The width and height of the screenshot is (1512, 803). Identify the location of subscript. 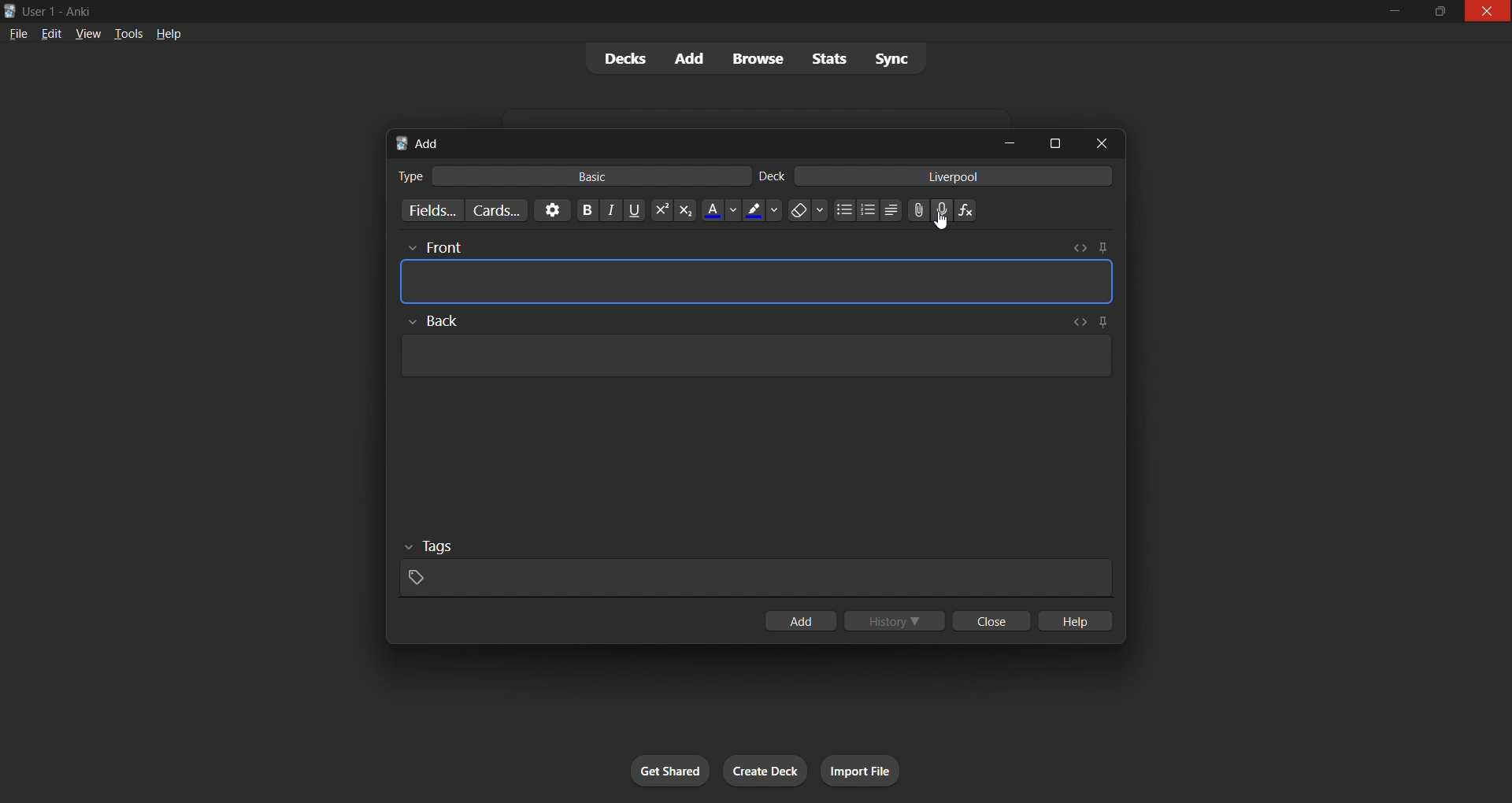
(685, 211).